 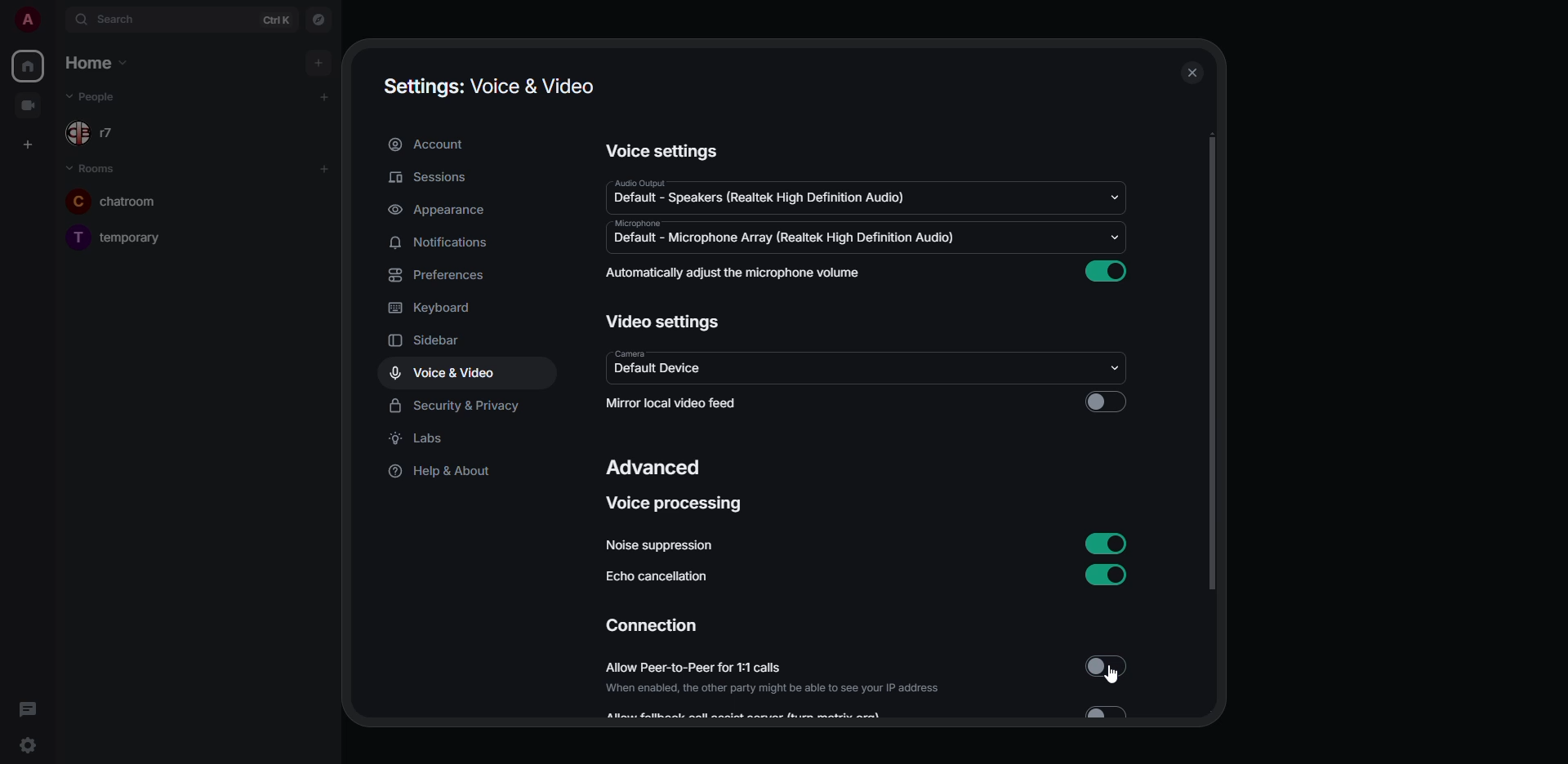 I want to click on camera, so click(x=631, y=350).